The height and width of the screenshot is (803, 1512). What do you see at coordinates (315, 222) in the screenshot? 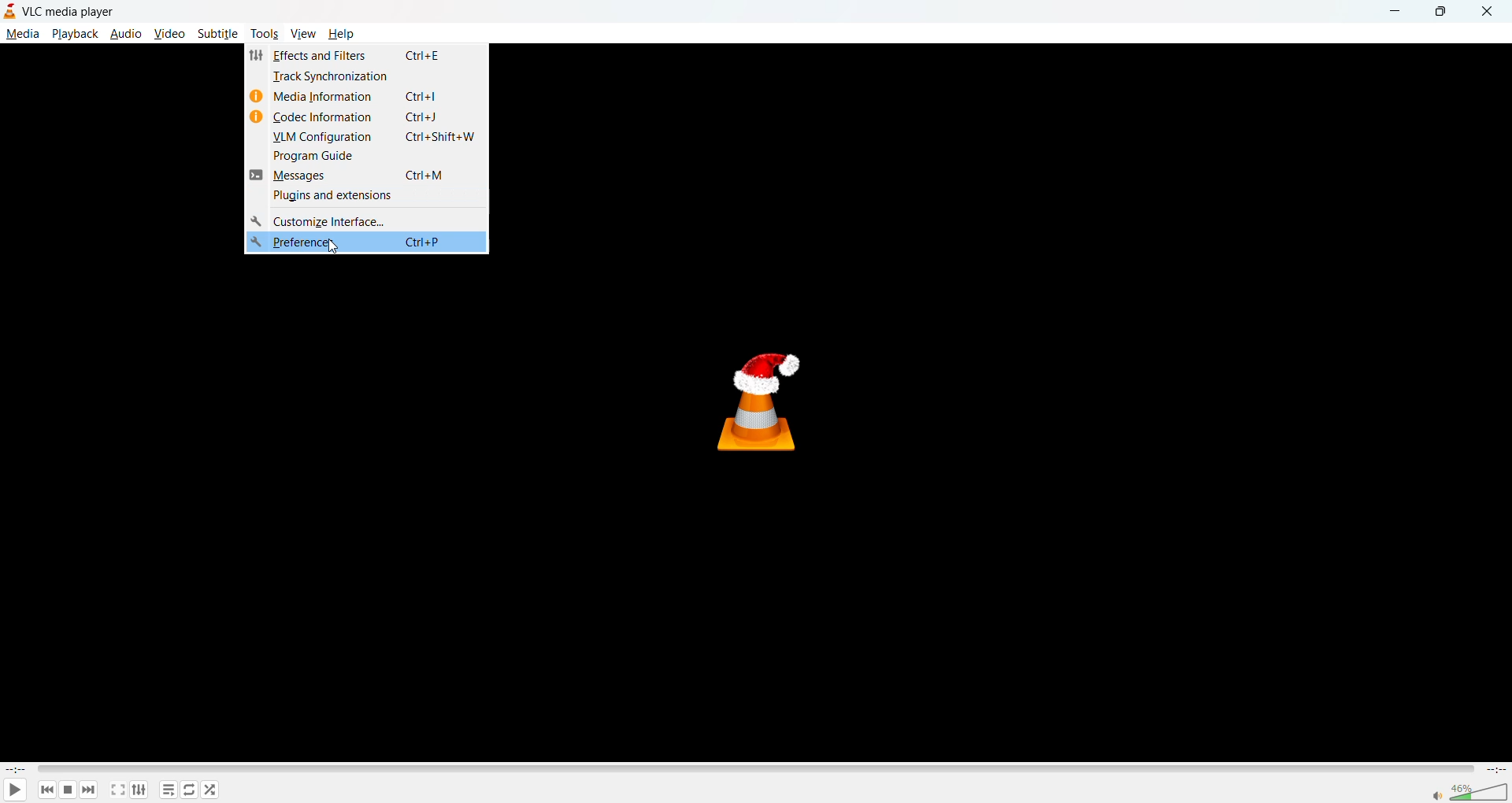
I see `customize interface` at bounding box center [315, 222].